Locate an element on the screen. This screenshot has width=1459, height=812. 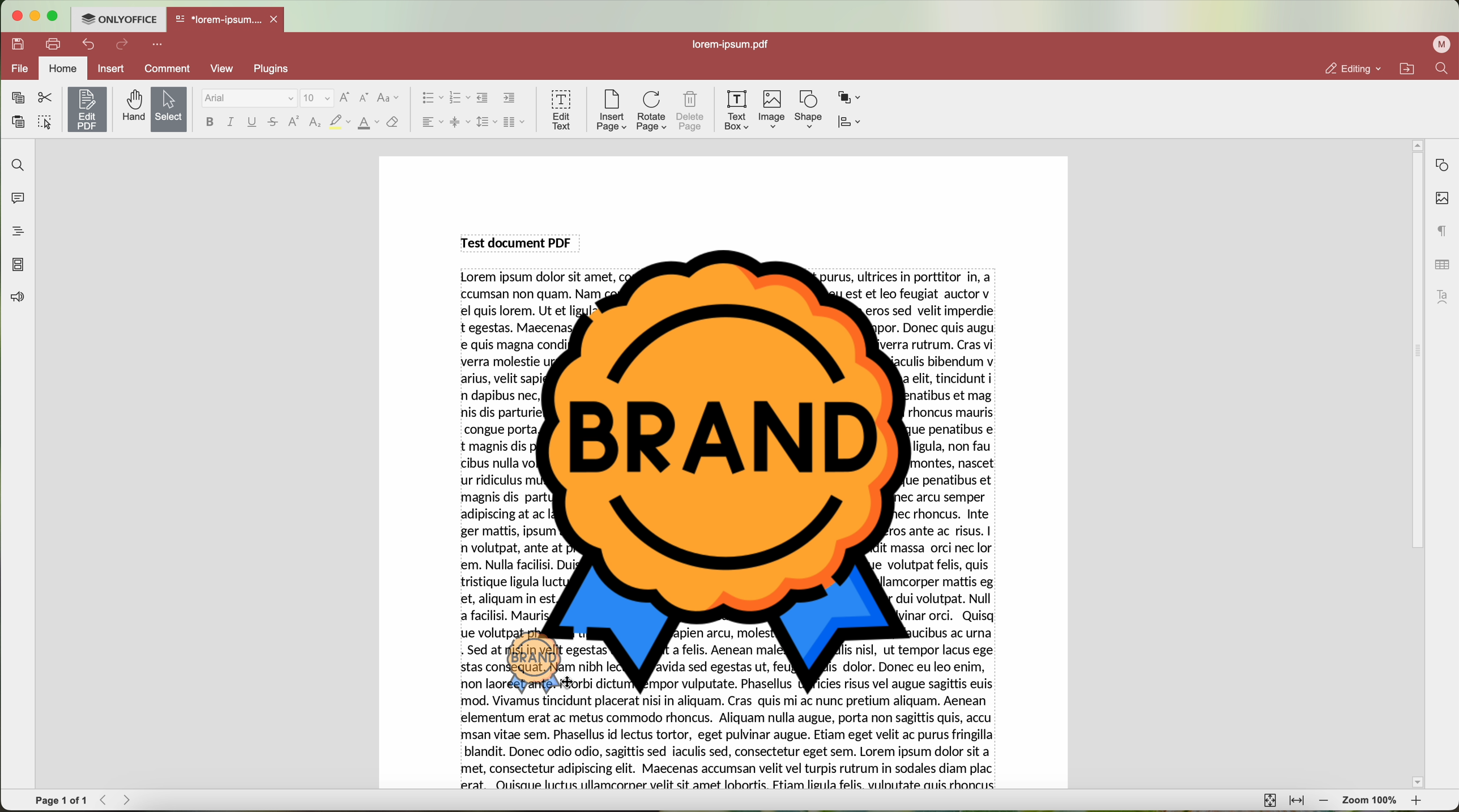
highlight color is located at coordinates (339, 123).